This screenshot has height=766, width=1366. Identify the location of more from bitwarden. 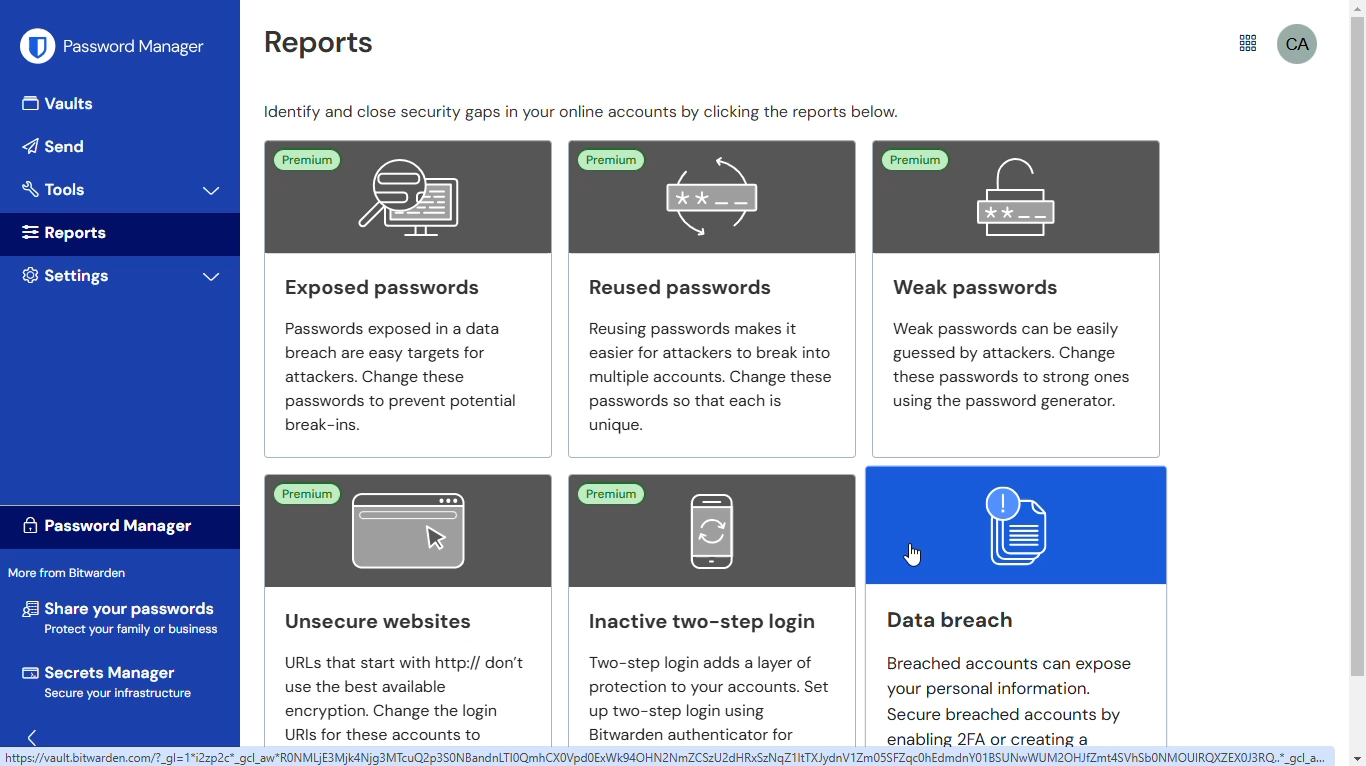
(1248, 43).